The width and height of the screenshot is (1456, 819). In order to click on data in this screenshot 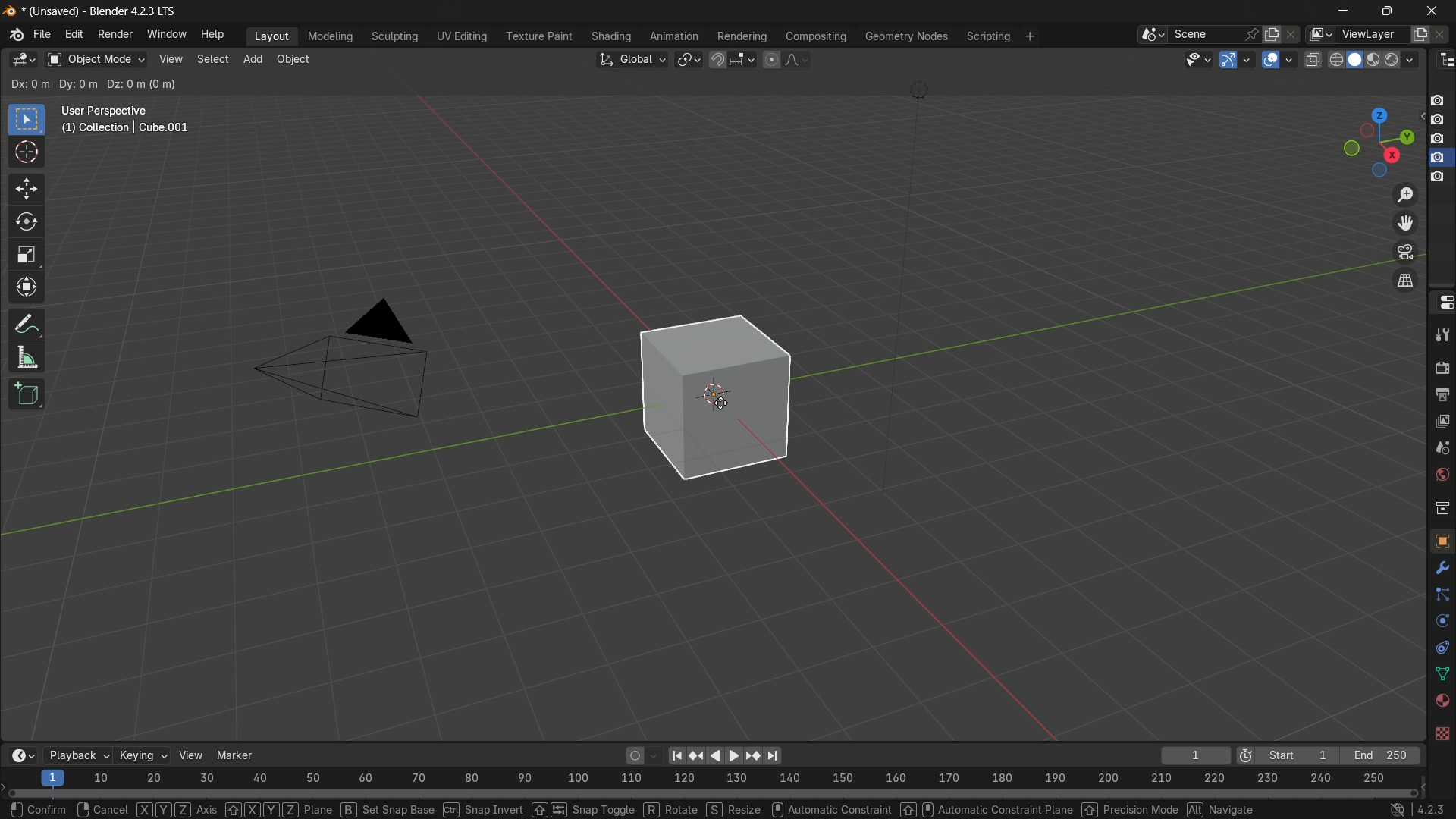, I will do `click(1442, 673)`.